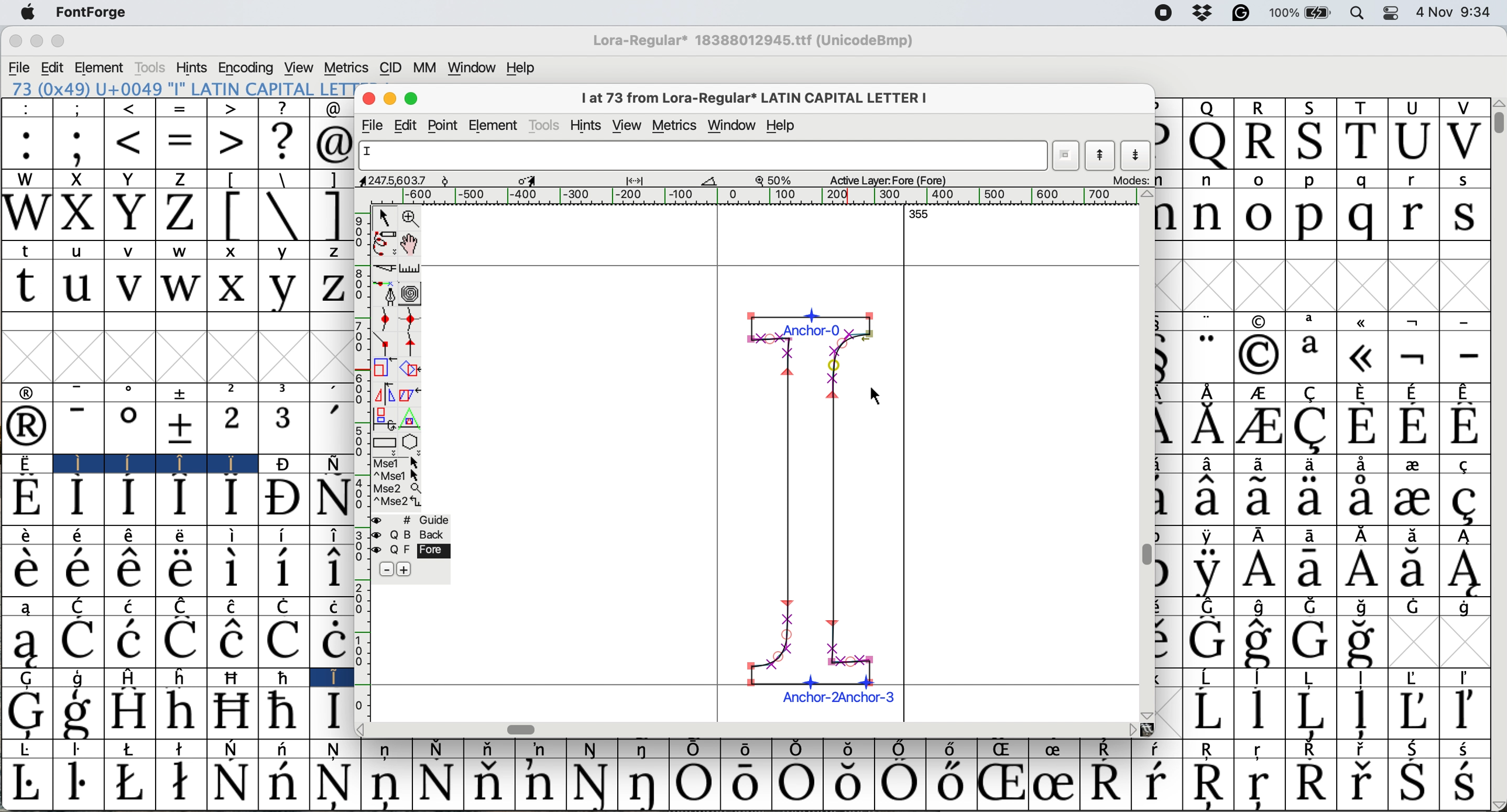 The width and height of the screenshot is (1507, 812). What do you see at coordinates (1413, 784) in the screenshot?
I see `Symbol` at bounding box center [1413, 784].